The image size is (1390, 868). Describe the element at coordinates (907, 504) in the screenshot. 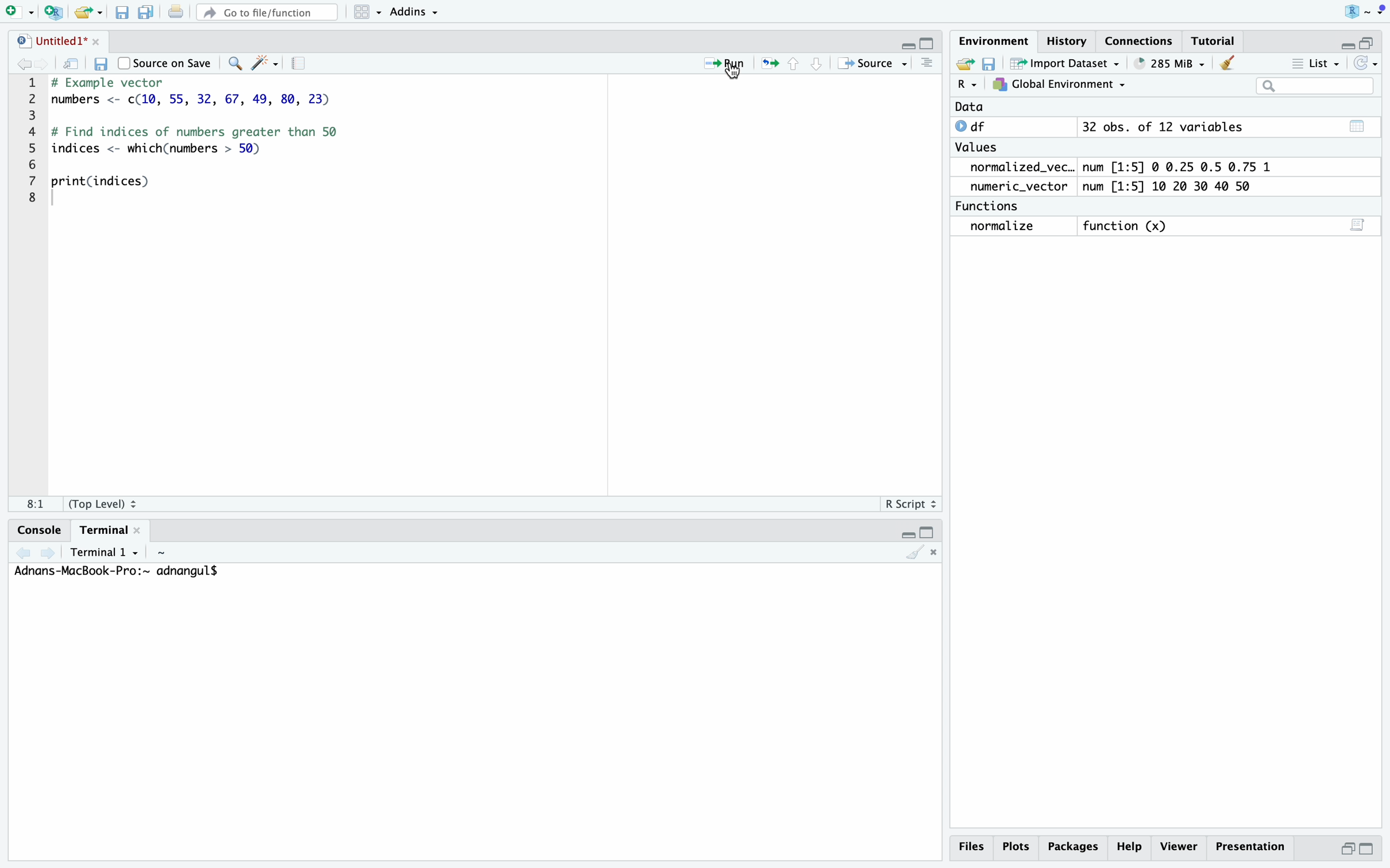

I see `R Script` at that location.